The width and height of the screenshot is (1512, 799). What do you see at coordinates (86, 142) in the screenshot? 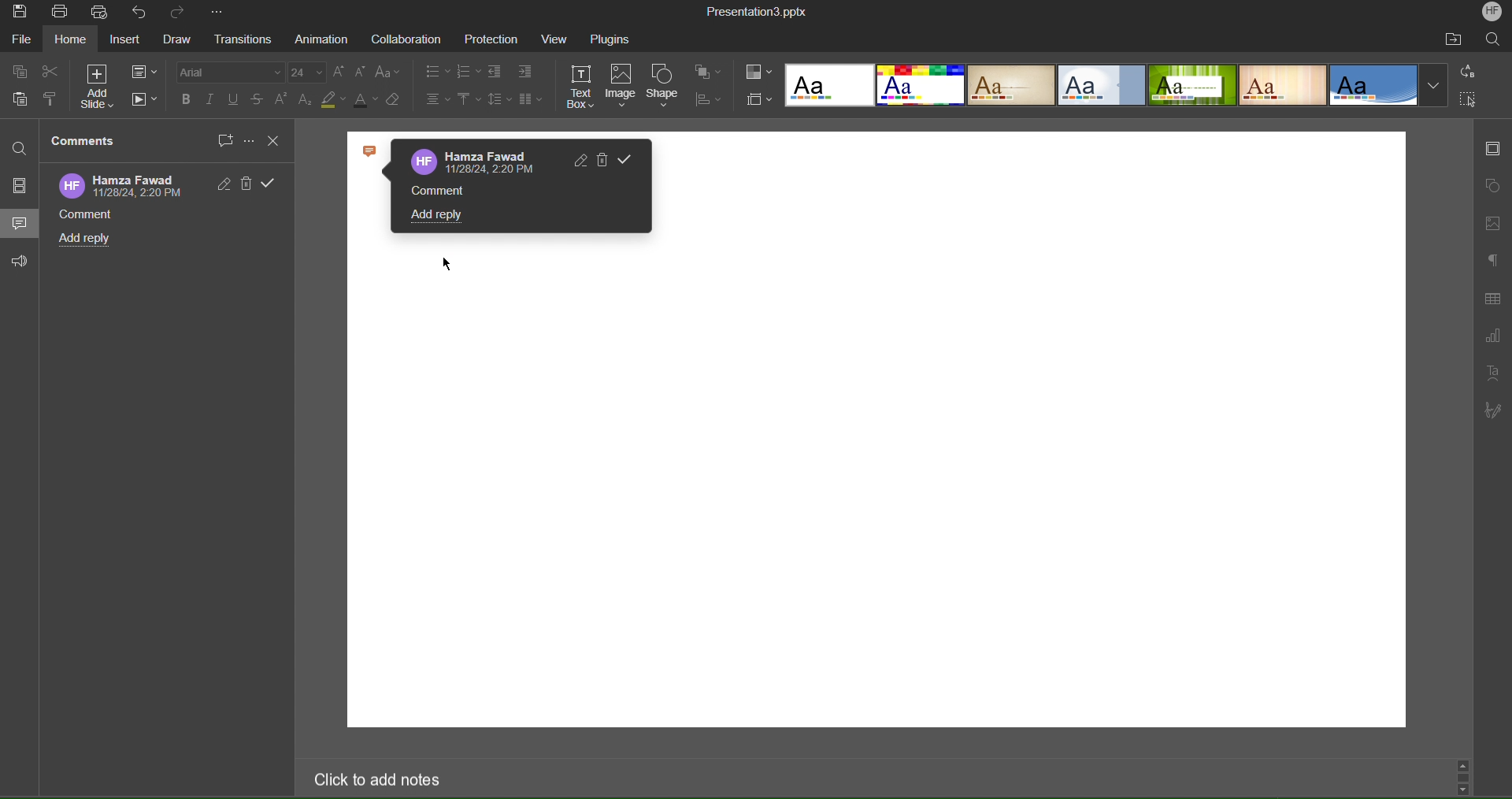
I see `Comments` at bounding box center [86, 142].